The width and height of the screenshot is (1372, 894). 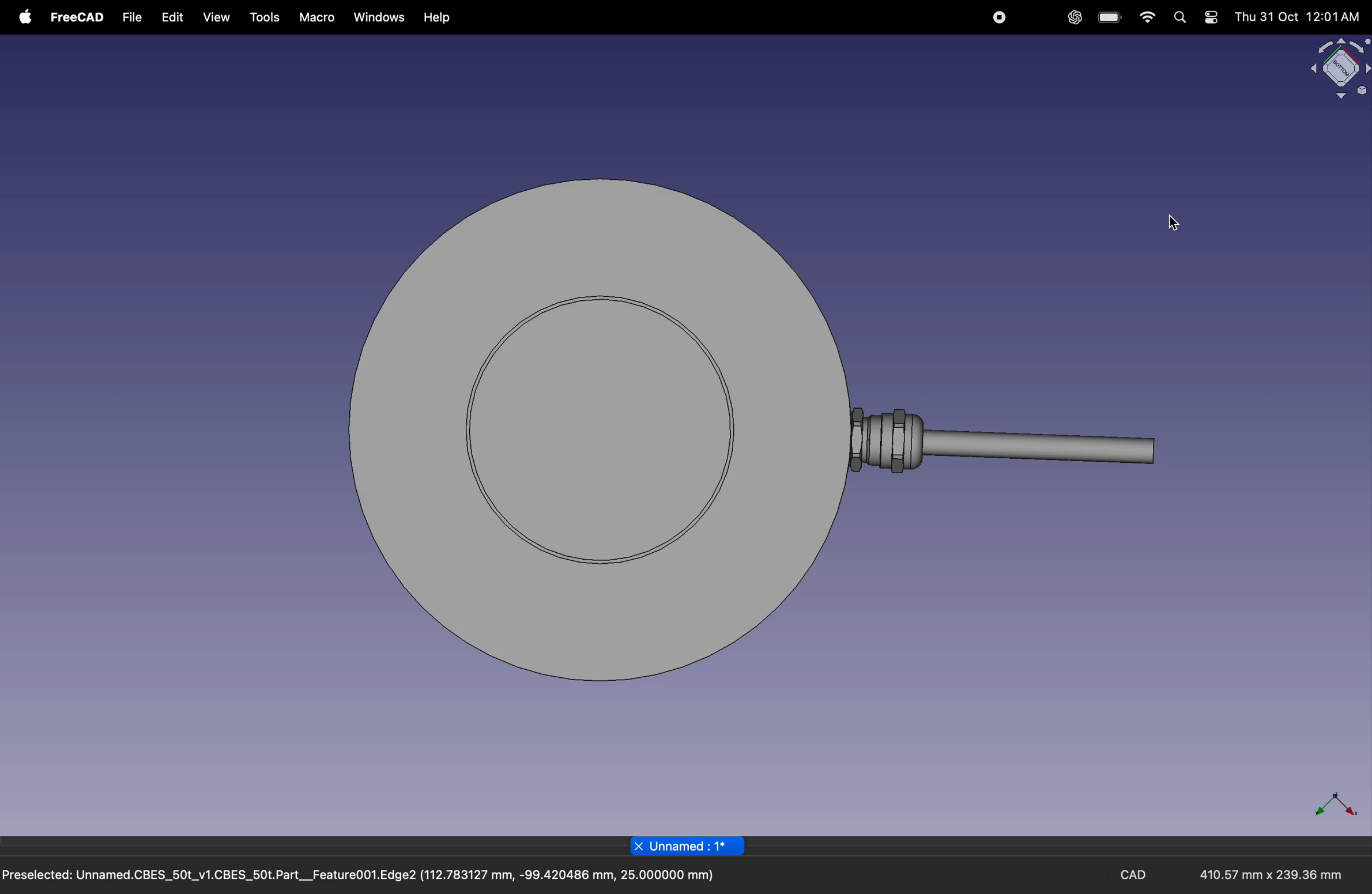 What do you see at coordinates (363, 874) in the screenshot?
I see `Preselected: Unnamed.CBES_50t_v1.CBES_50t.Part__Feature001.Edge2 (112.783127 mm, -99.420486 mm, 25.000000 mm)` at bounding box center [363, 874].